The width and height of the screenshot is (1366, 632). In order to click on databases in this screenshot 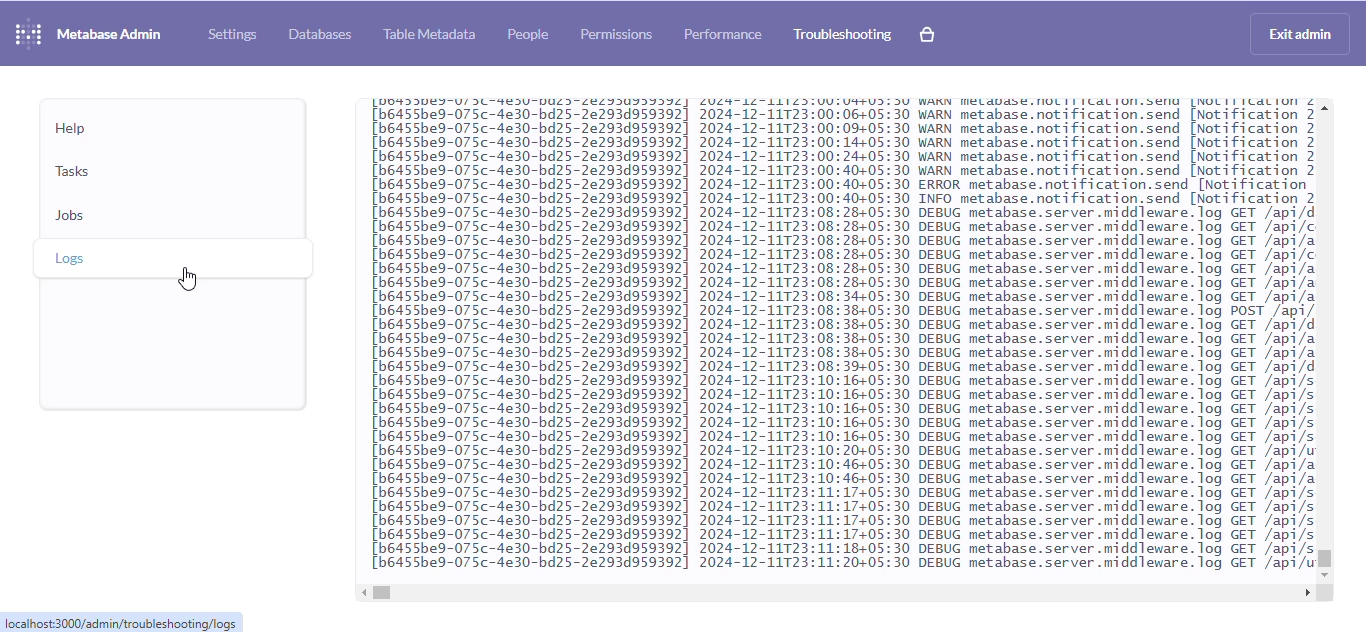, I will do `click(320, 35)`.